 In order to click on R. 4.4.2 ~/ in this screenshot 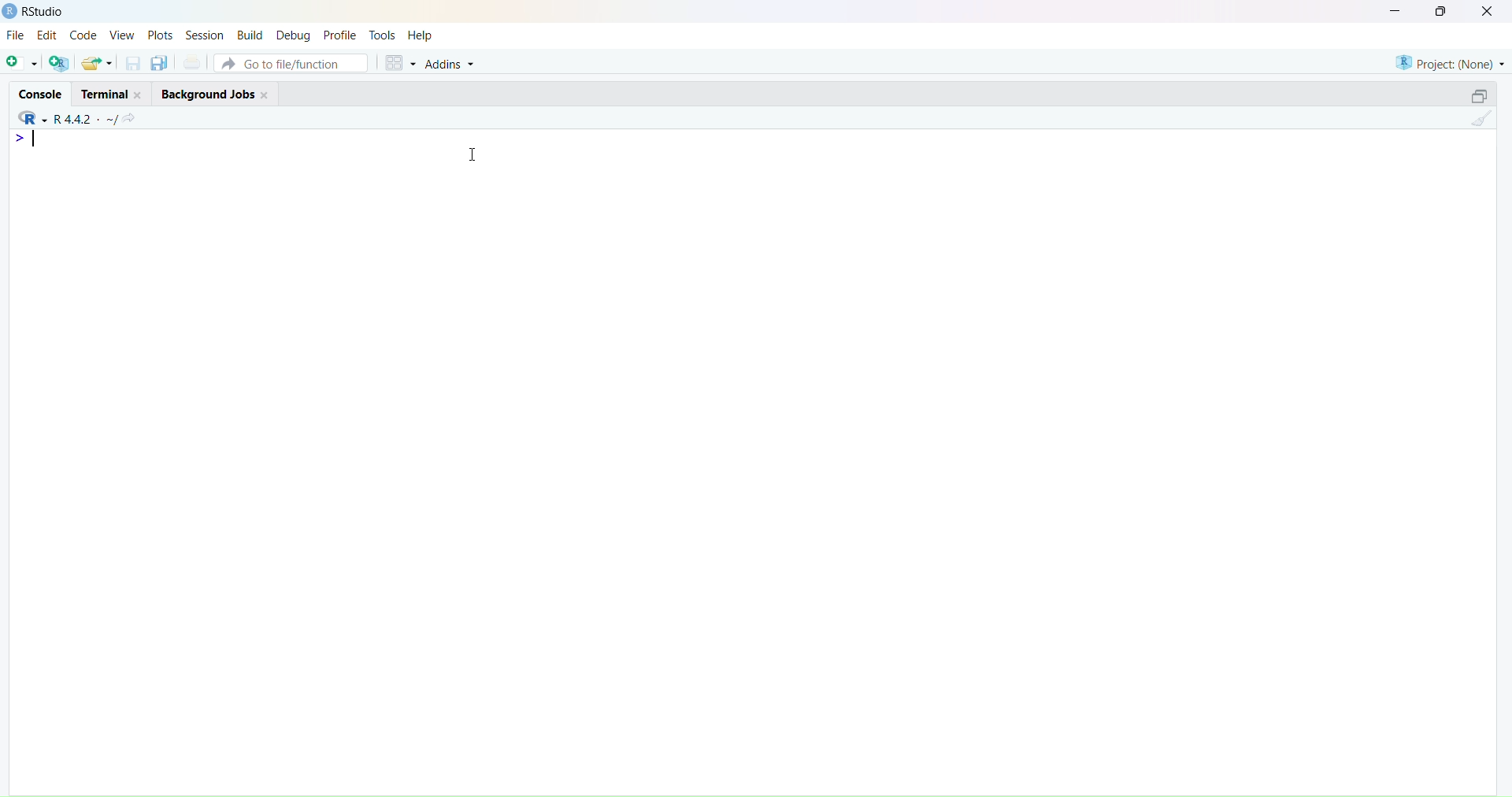, I will do `click(84, 120)`.